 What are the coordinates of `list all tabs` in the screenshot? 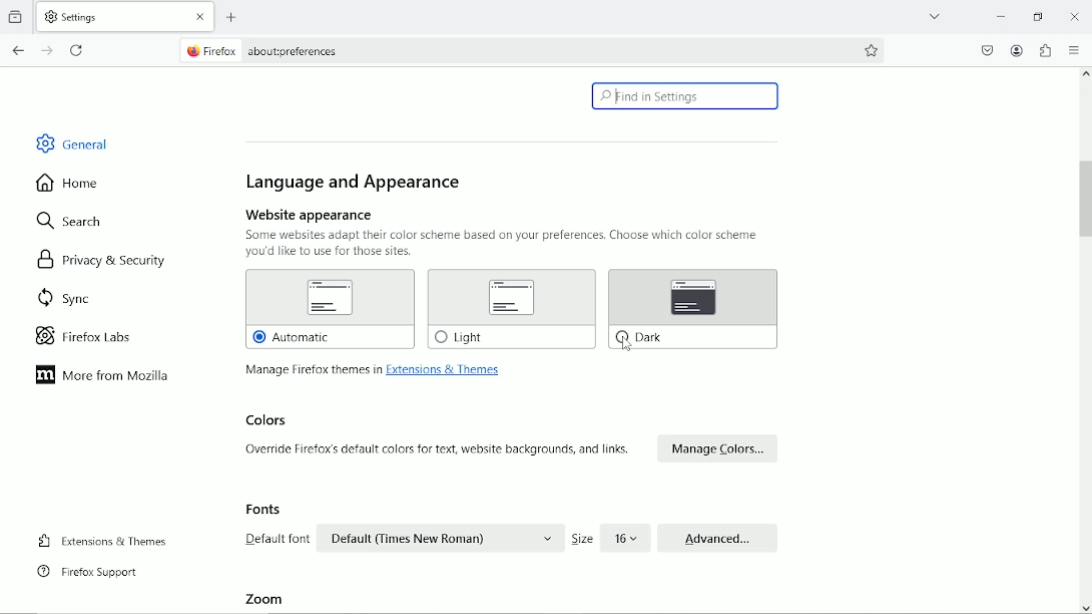 It's located at (934, 16).